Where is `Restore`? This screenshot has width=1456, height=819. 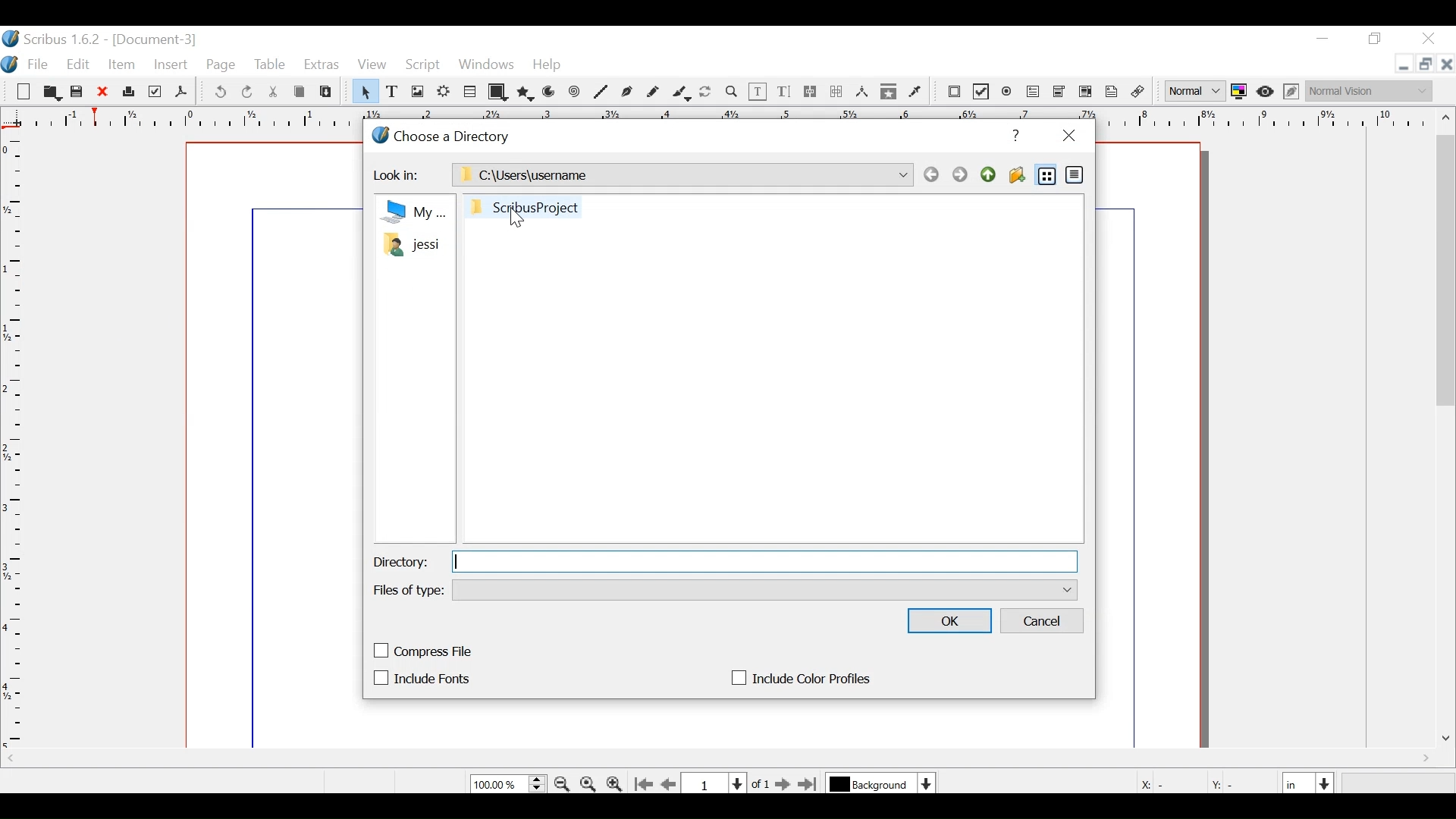
Restore is located at coordinates (1423, 64).